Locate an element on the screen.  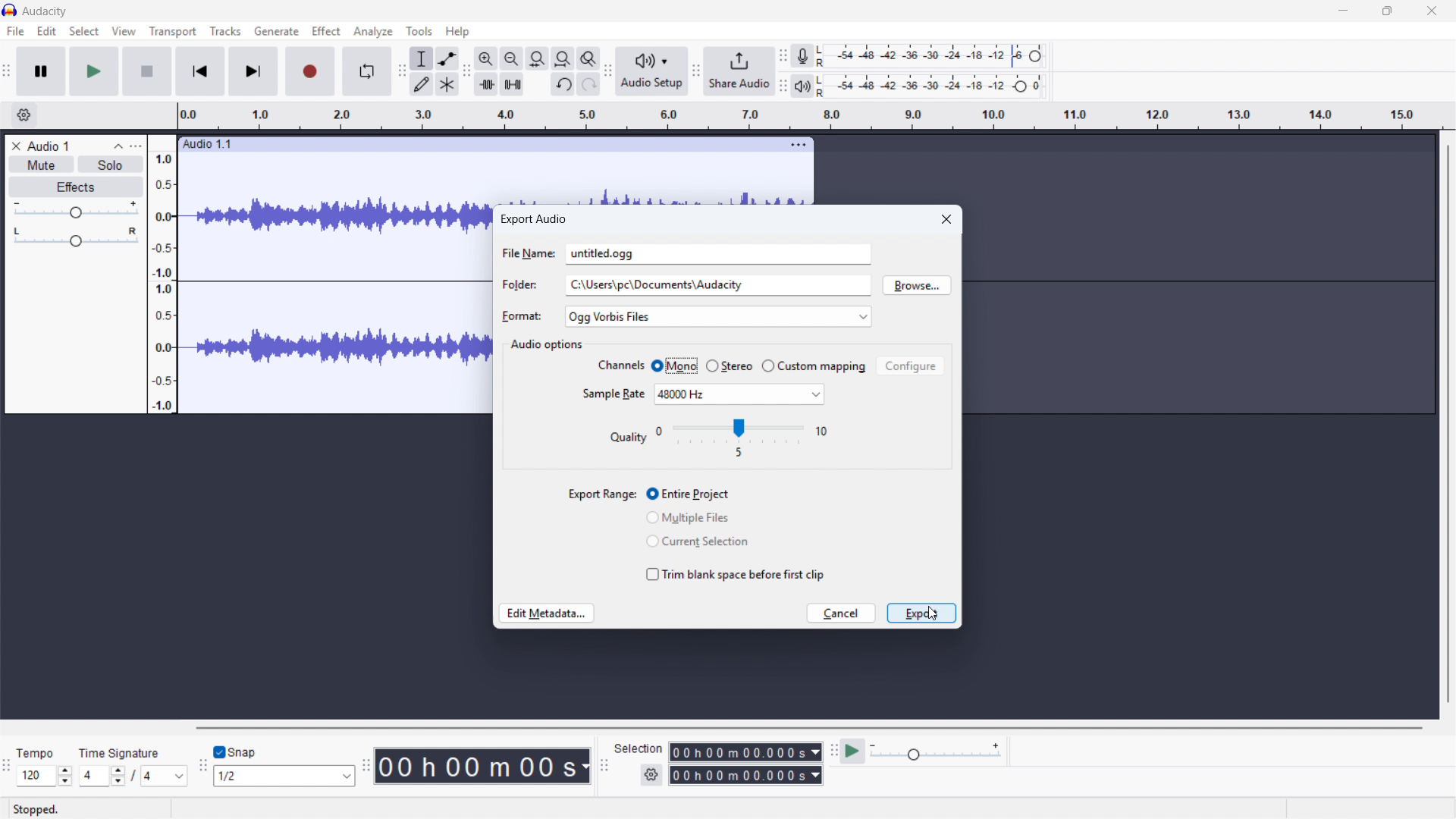
encoding is located at coordinates (629, 438).